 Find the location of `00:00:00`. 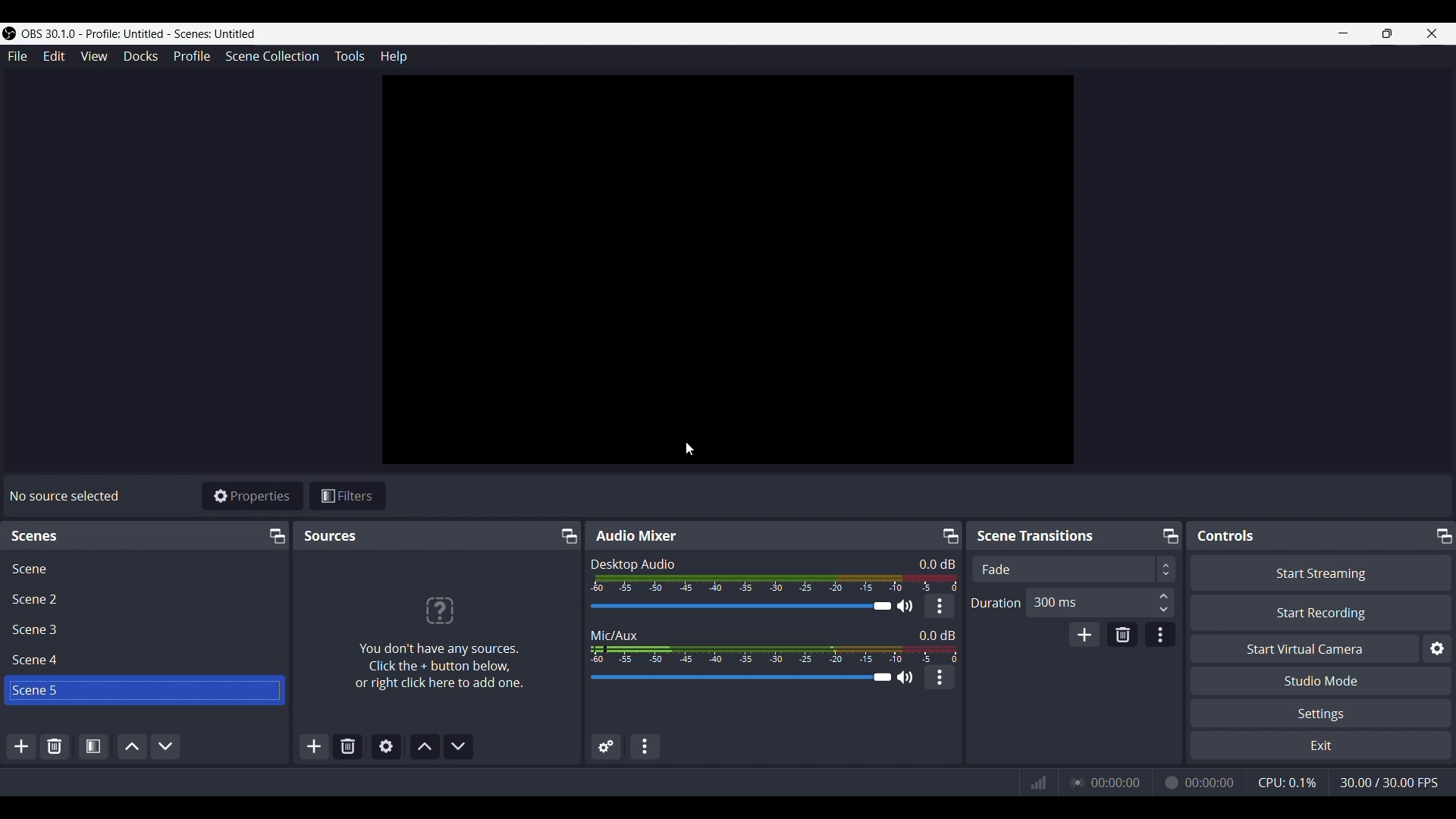

00:00:00 is located at coordinates (1212, 781).